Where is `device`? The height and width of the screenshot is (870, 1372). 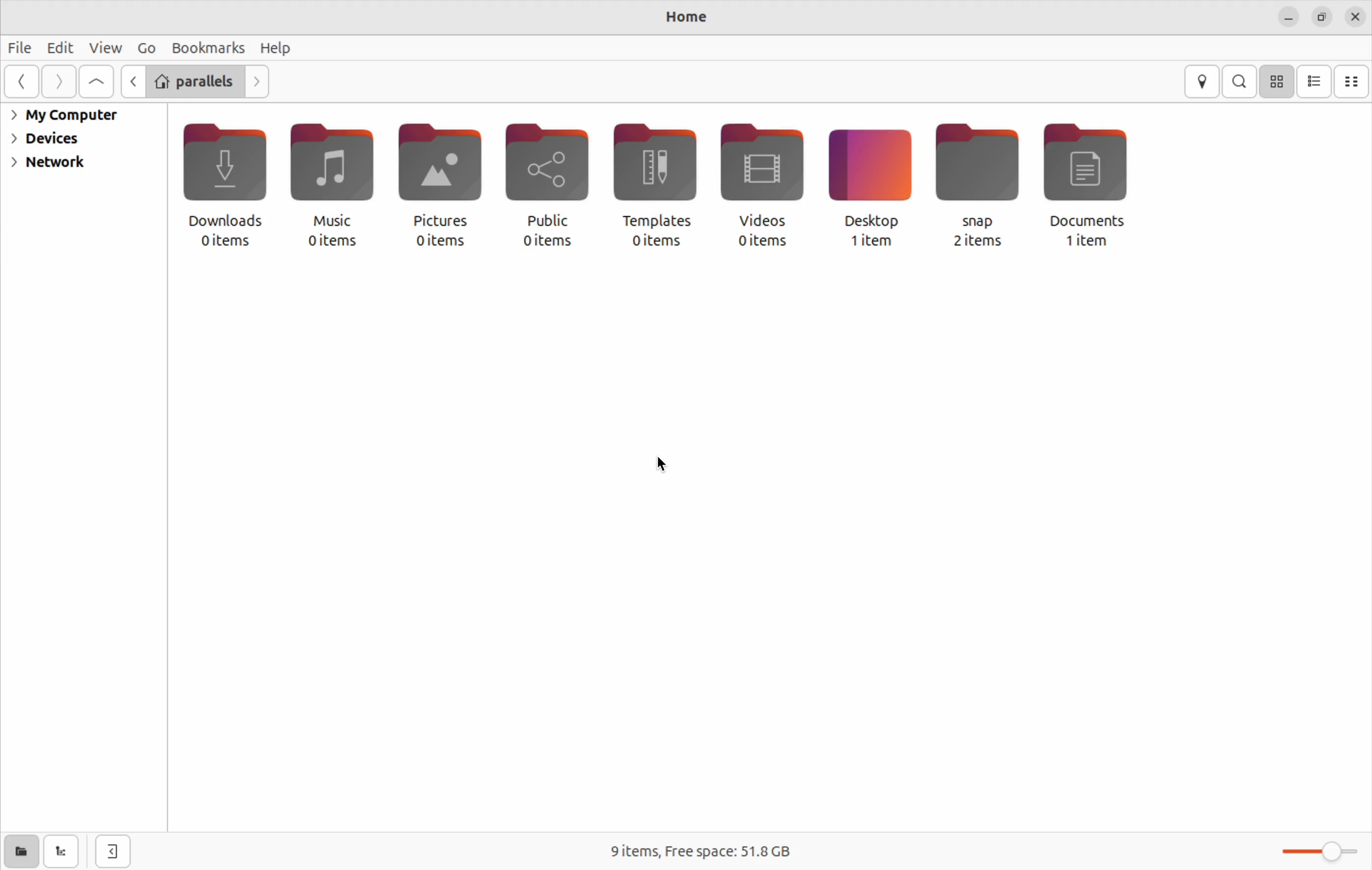 device is located at coordinates (66, 138).